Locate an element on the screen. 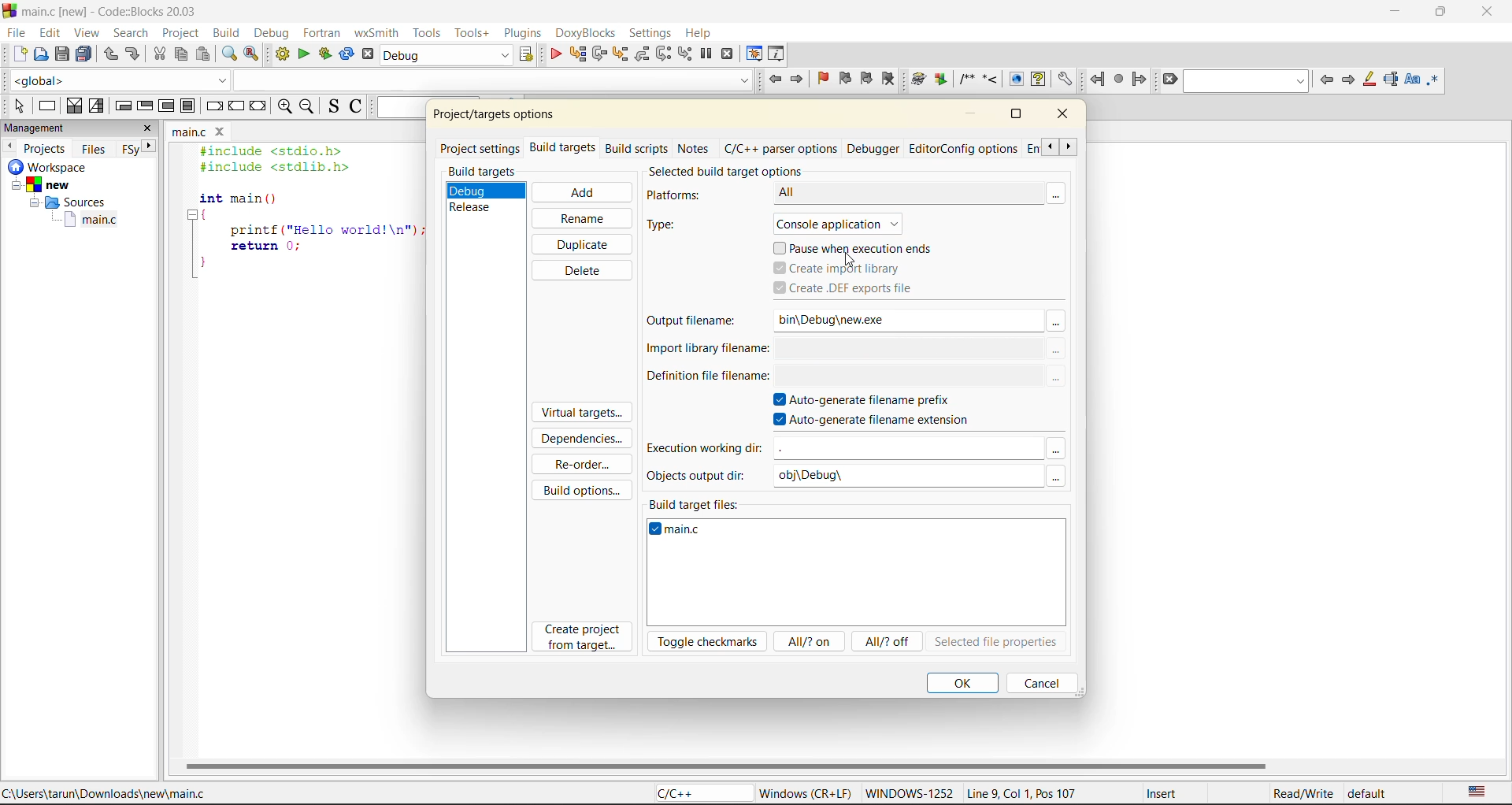  scroll back is located at coordinates (1047, 147).